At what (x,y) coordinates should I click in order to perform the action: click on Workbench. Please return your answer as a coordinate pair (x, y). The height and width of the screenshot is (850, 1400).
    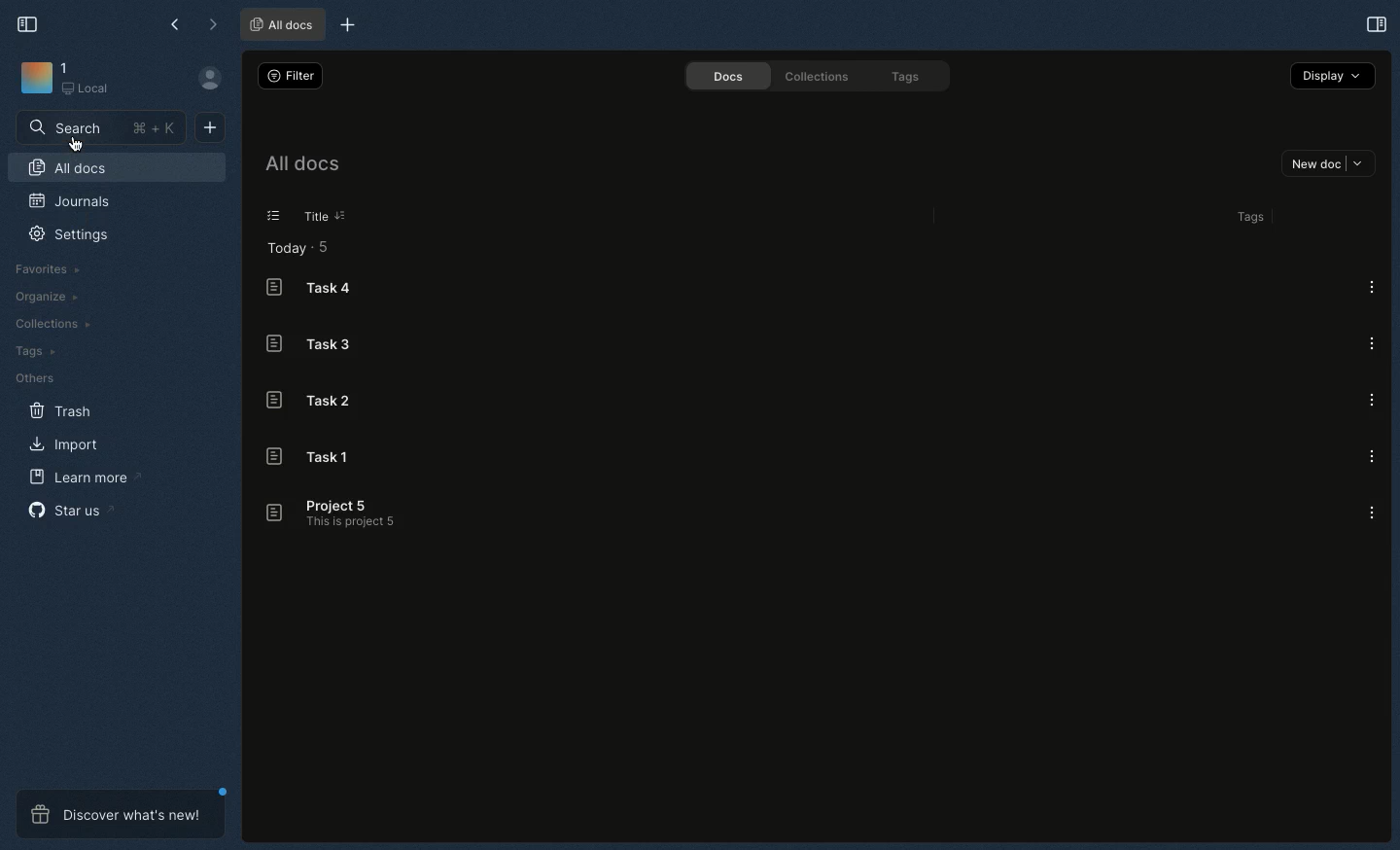
    Looking at the image, I should click on (78, 82).